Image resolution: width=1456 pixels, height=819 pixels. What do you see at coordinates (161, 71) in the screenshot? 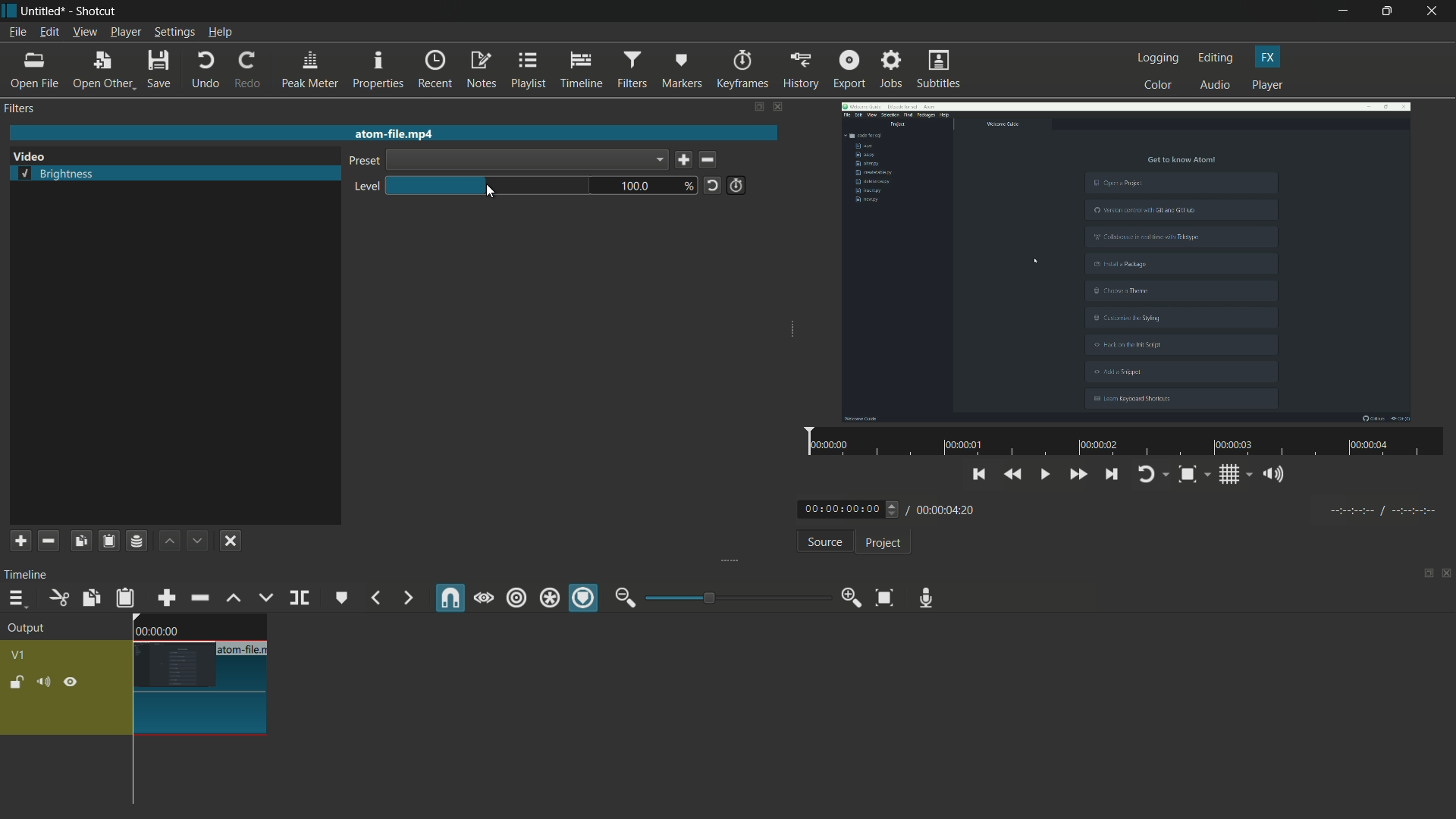
I see `save` at bounding box center [161, 71].